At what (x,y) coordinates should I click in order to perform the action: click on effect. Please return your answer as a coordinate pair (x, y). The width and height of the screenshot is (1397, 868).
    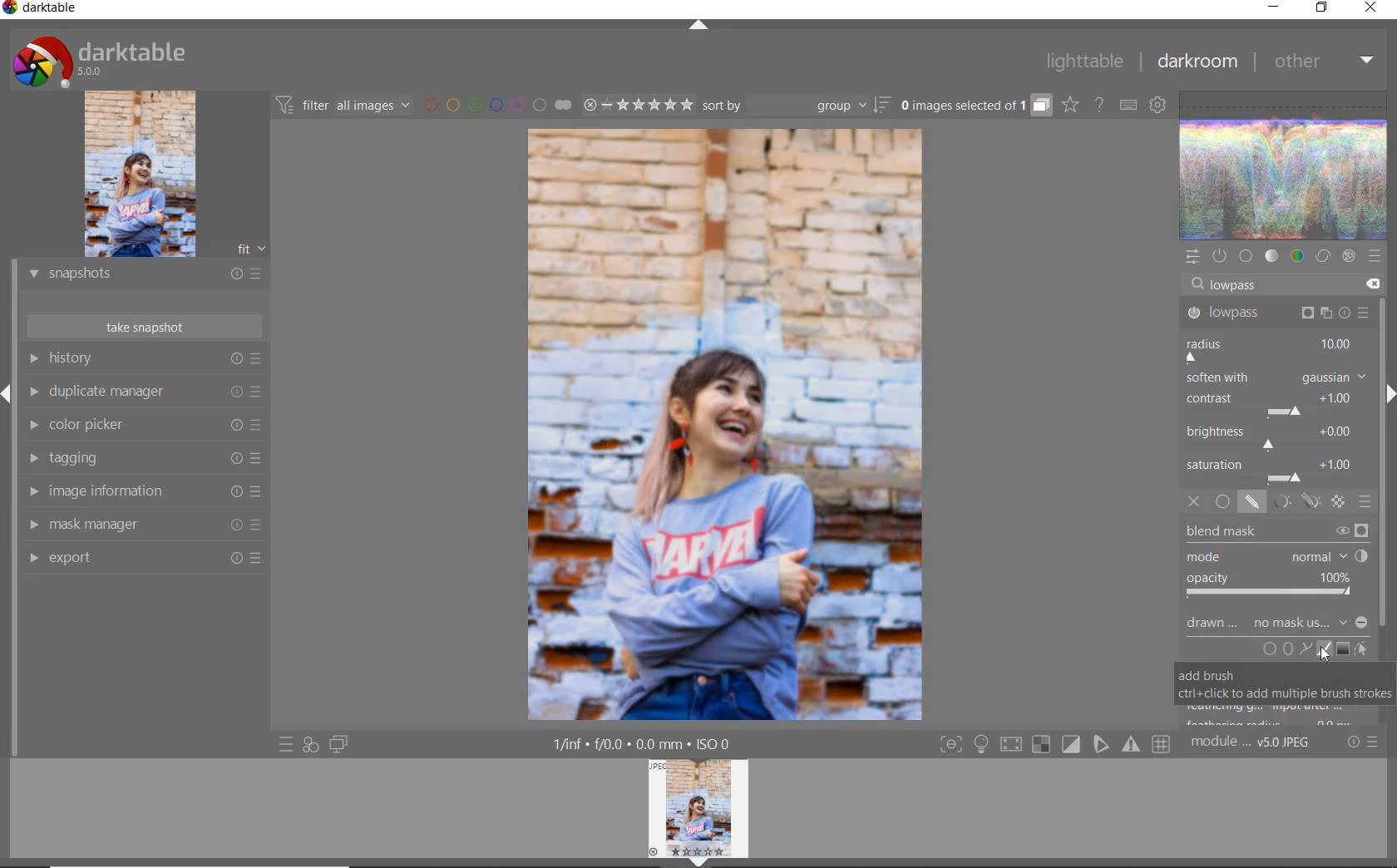
    Looking at the image, I should click on (1346, 257).